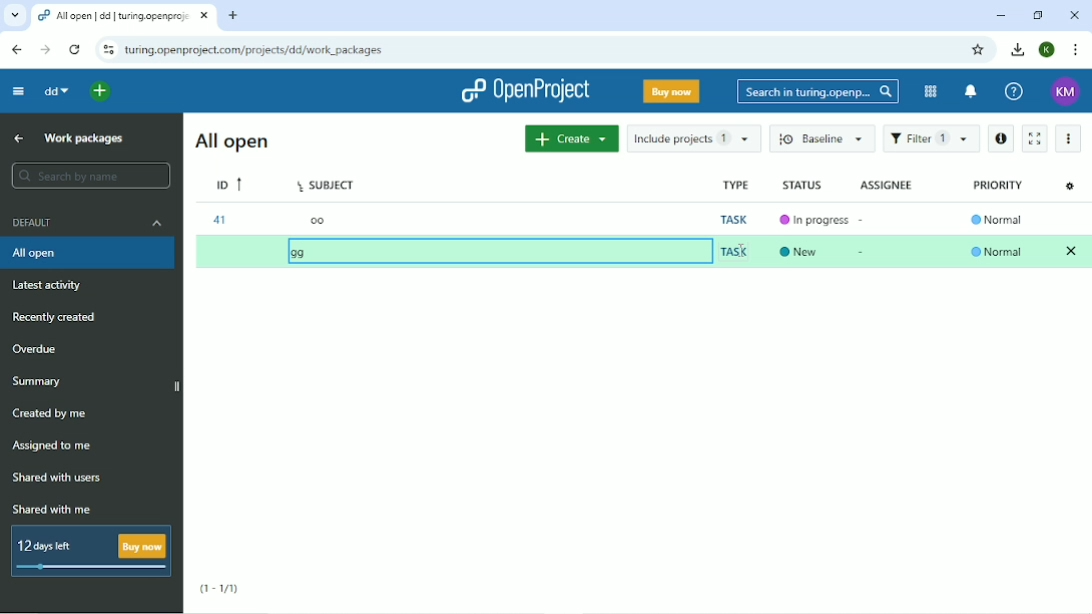 The image size is (1092, 614). Describe the element at coordinates (222, 585) in the screenshot. I see `(1-1/1)` at that location.